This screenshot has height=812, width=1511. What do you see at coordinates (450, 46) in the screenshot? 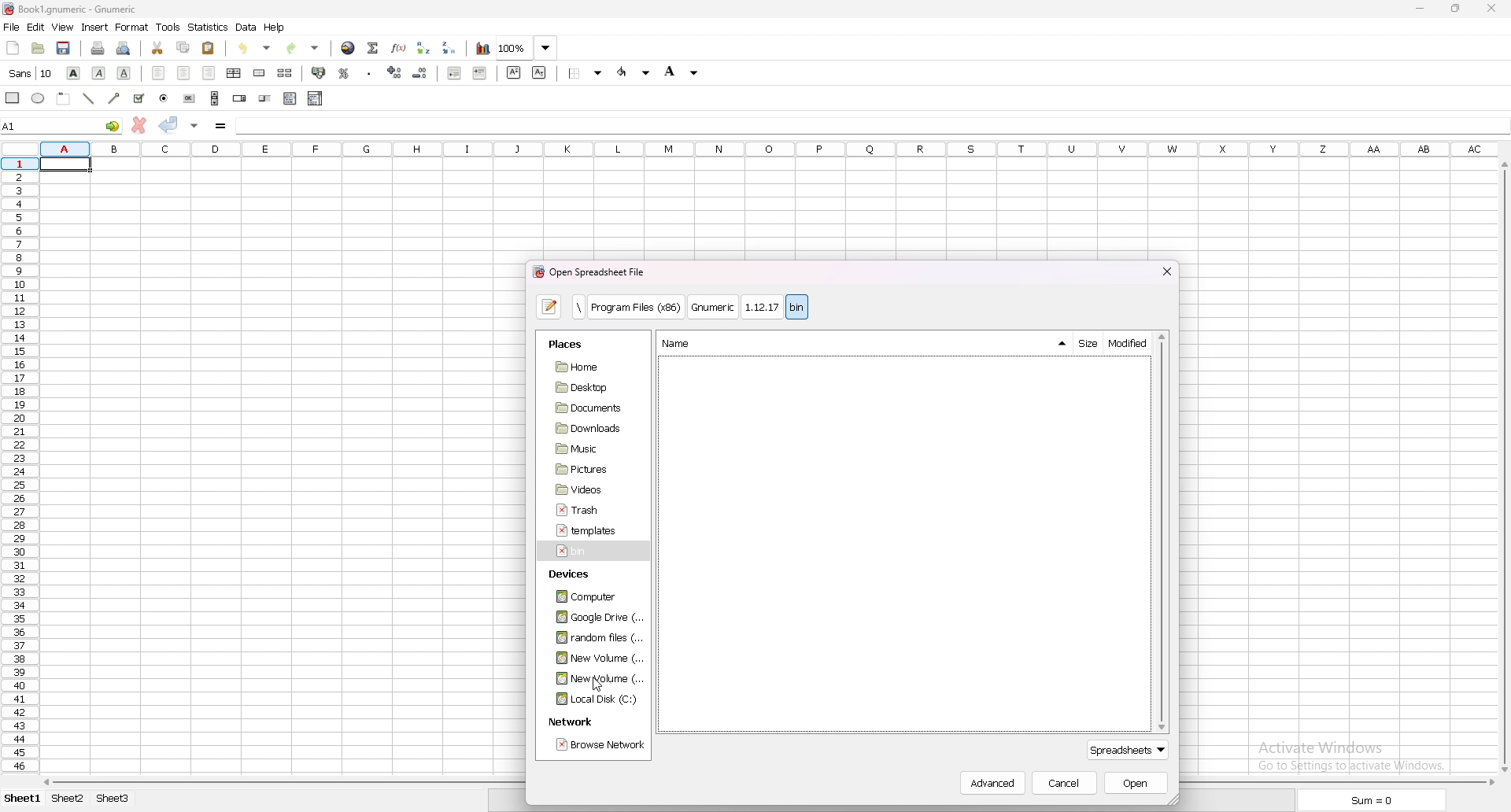
I see `sort descending` at bounding box center [450, 46].